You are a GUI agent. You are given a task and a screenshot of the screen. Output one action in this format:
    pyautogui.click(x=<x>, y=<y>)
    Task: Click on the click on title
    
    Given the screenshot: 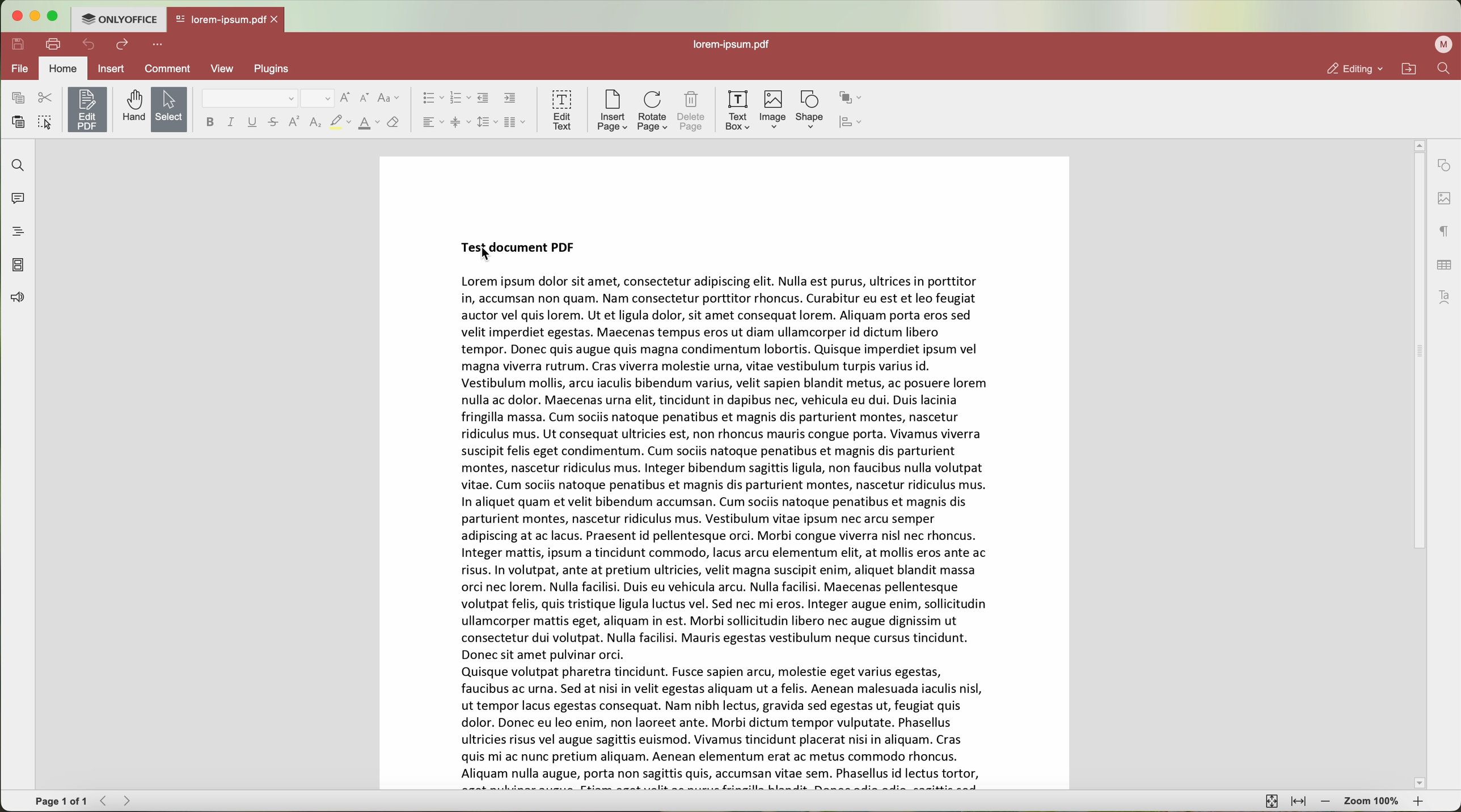 What is the action you would take?
    pyautogui.click(x=521, y=249)
    